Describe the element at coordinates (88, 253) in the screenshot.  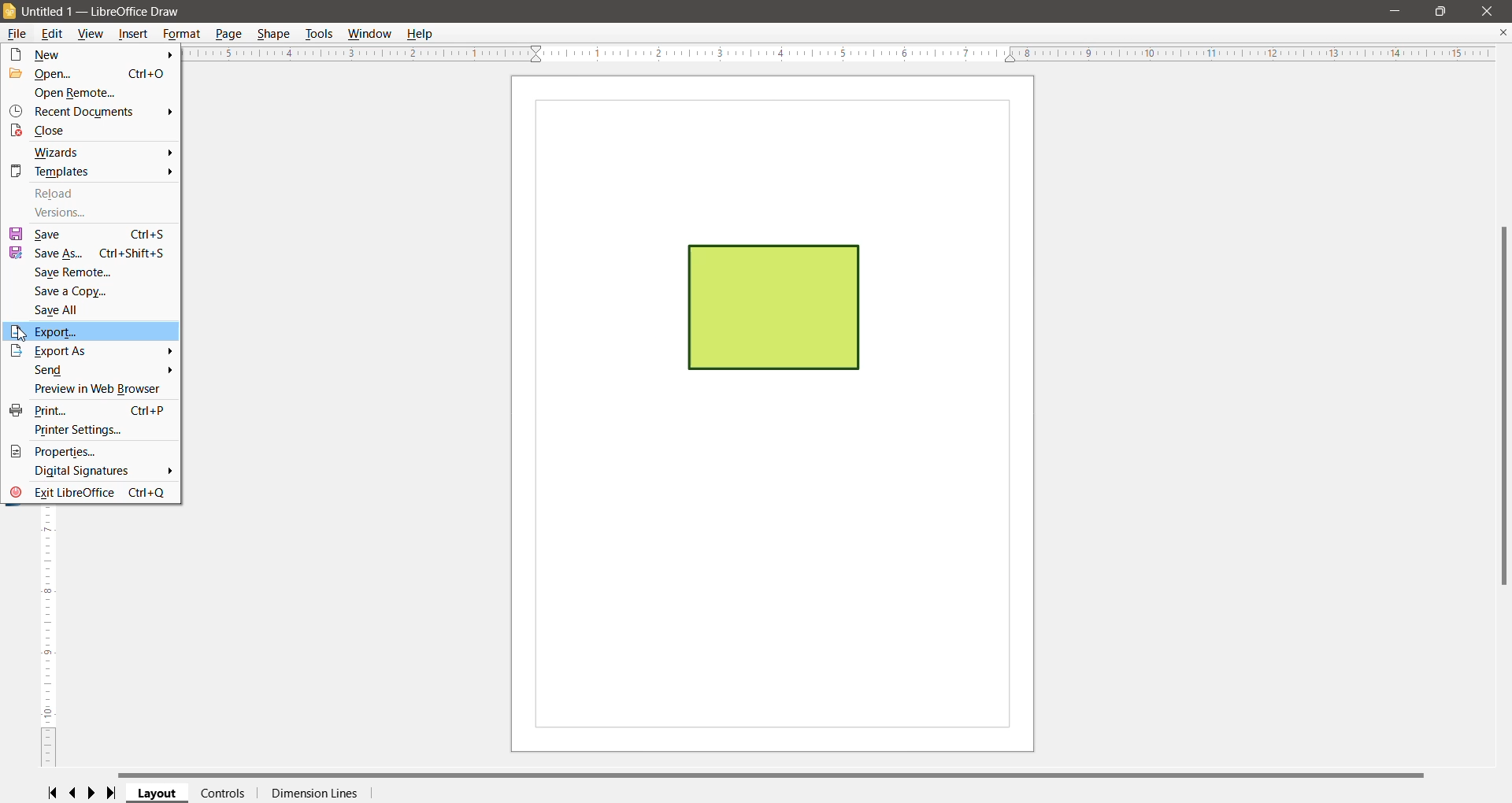
I see `Save As` at that location.